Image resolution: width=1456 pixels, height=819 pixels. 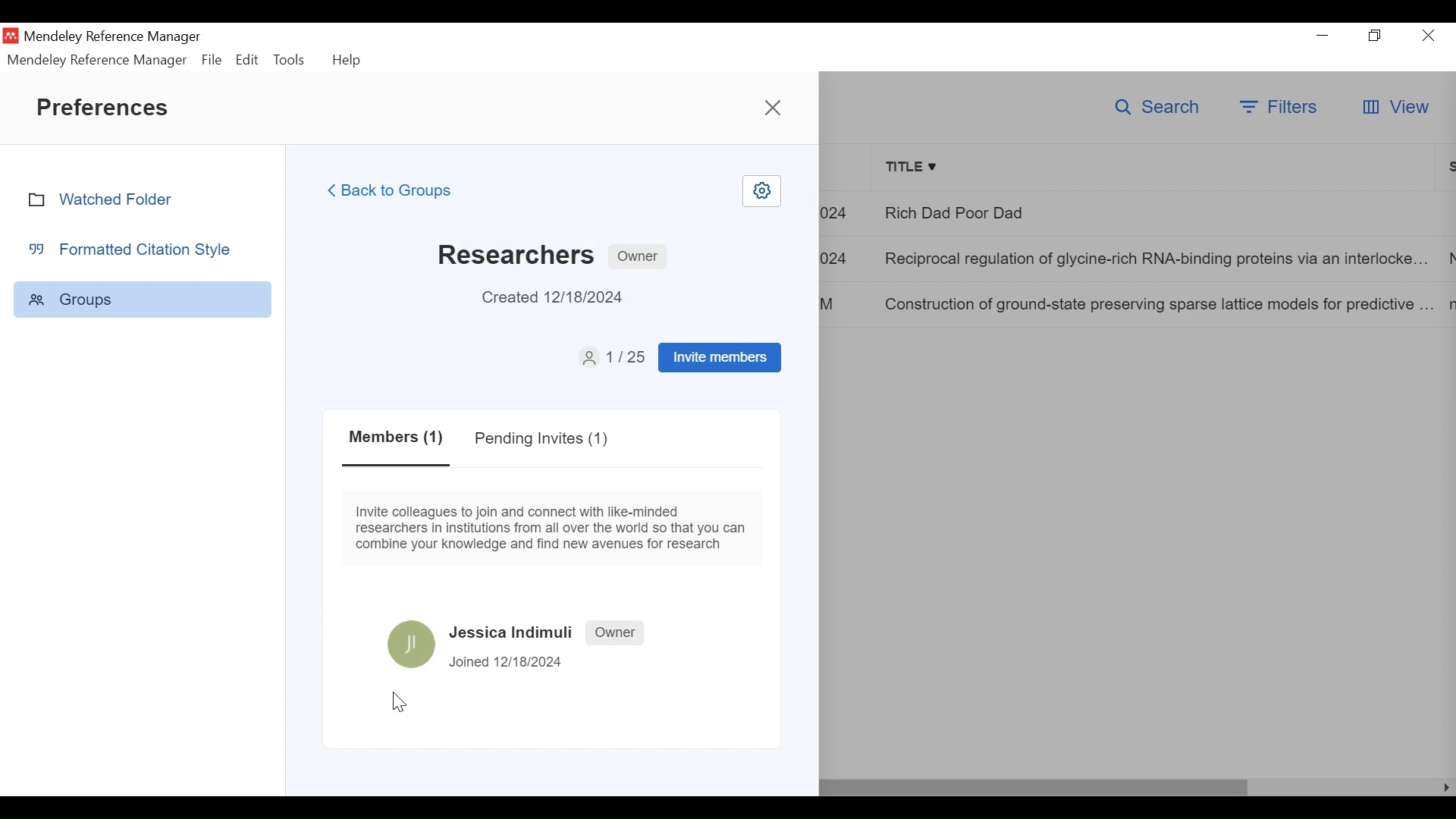 What do you see at coordinates (413, 643) in the screenshot?
I see `Avatar` at bounding box center [413, 643].